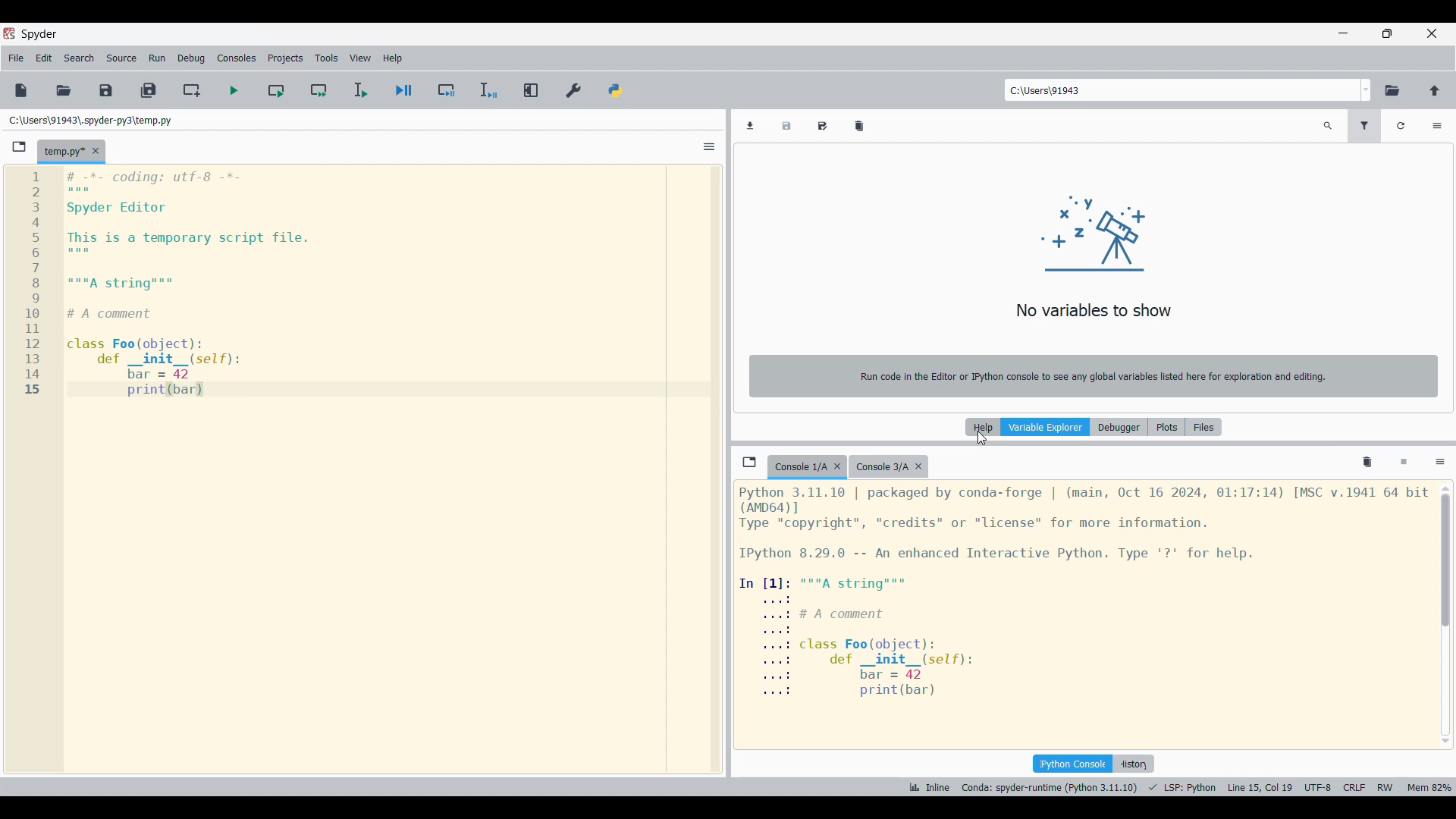 The image size is (1456, 819). I want to click on Search menu, so click(79, 58).